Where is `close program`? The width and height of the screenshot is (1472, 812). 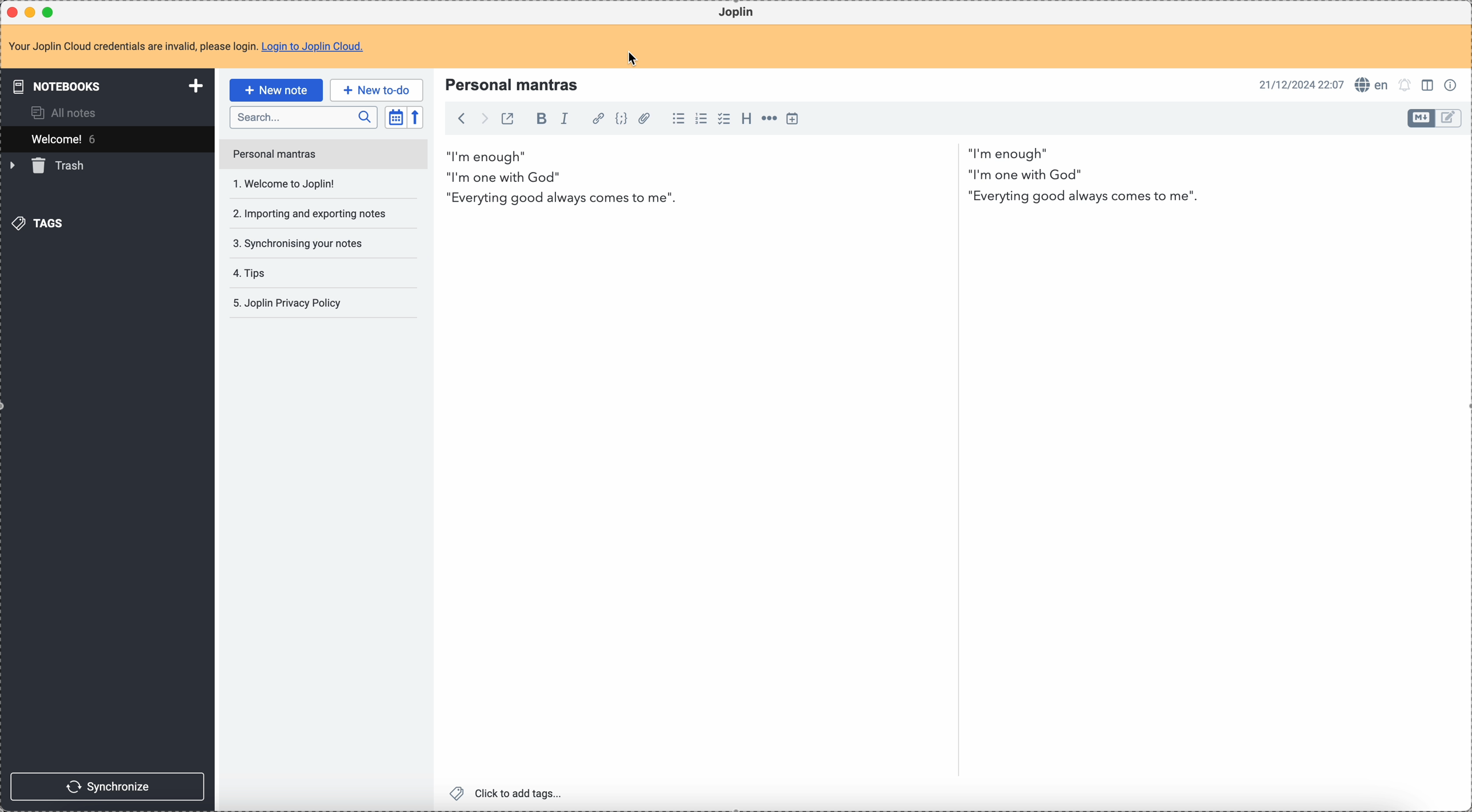
close program is located at coordinates (11, 13).